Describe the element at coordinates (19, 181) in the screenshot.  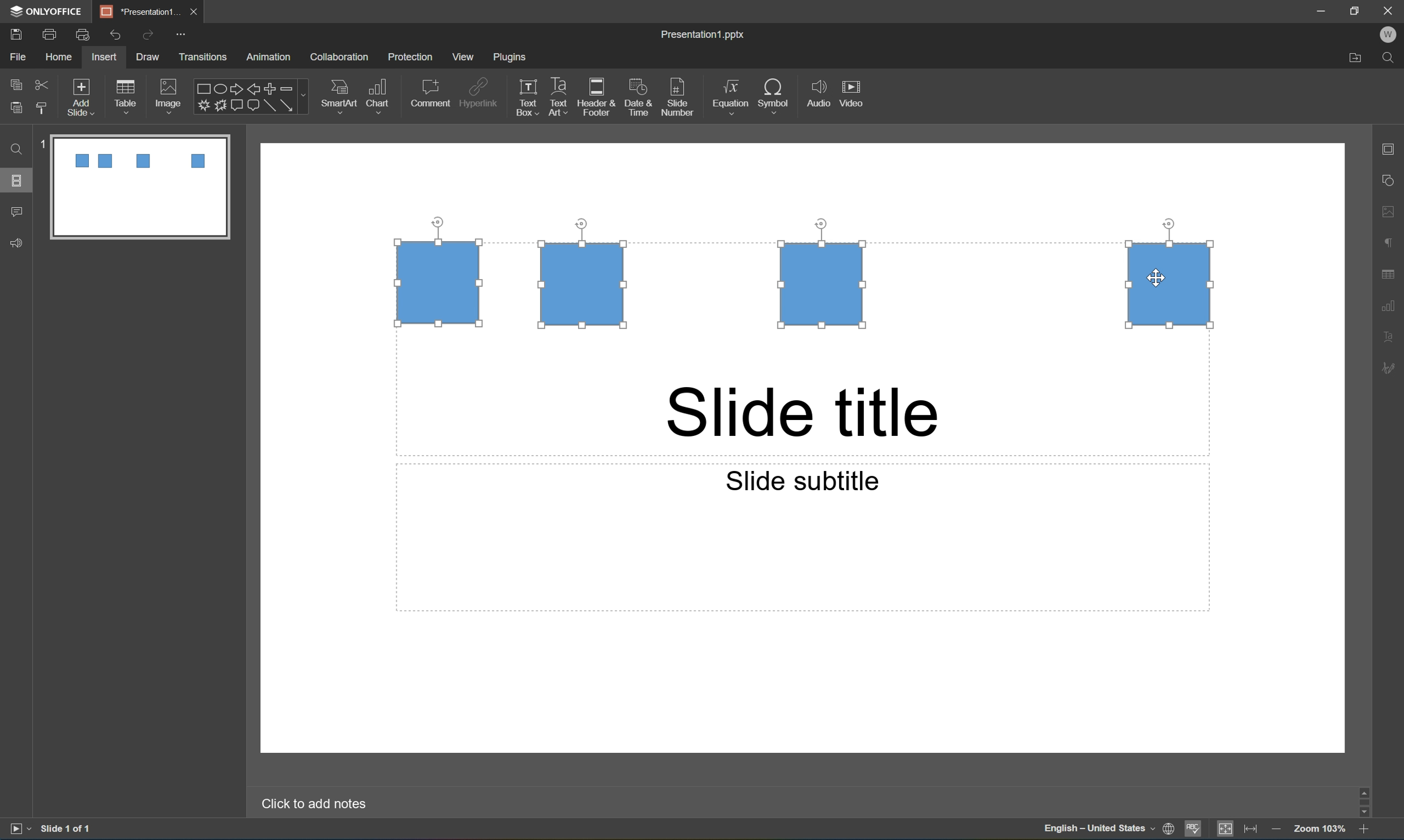
I see `slides` at that location.